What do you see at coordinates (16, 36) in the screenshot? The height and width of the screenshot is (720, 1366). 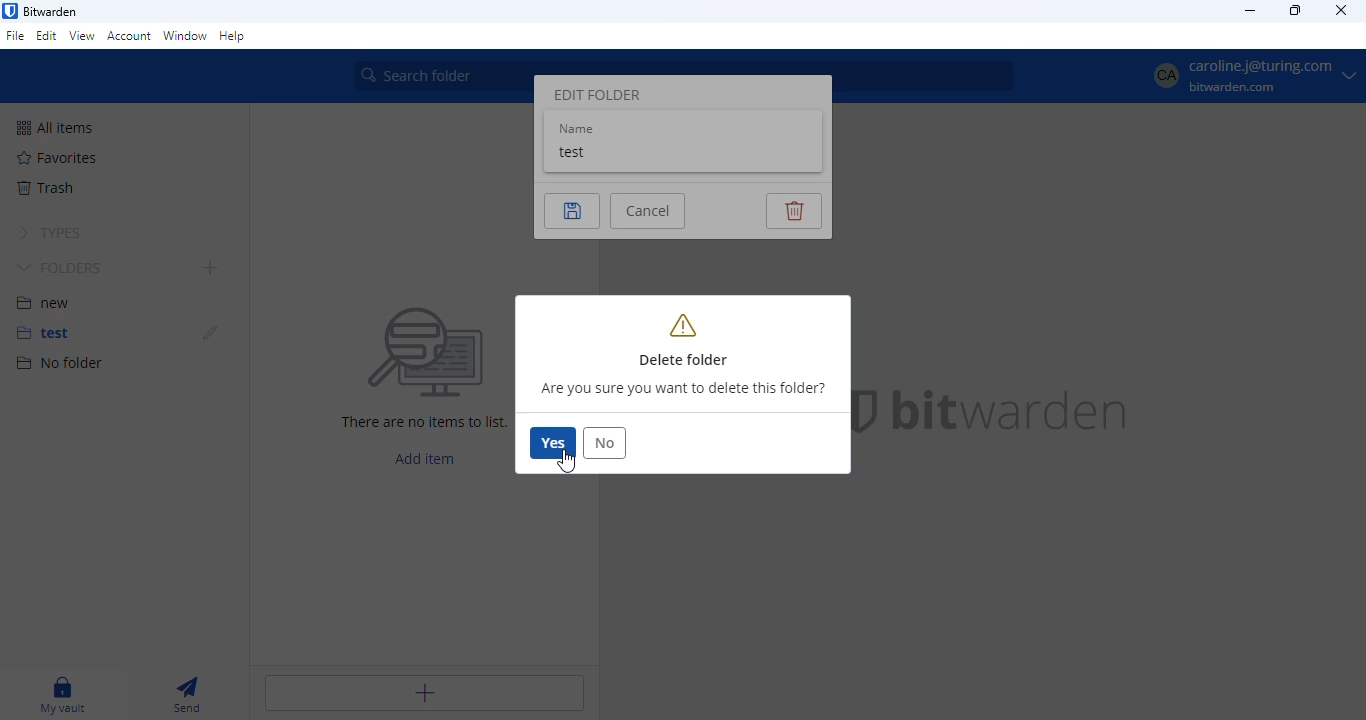 I see `file` at bounding box center [16, 36].